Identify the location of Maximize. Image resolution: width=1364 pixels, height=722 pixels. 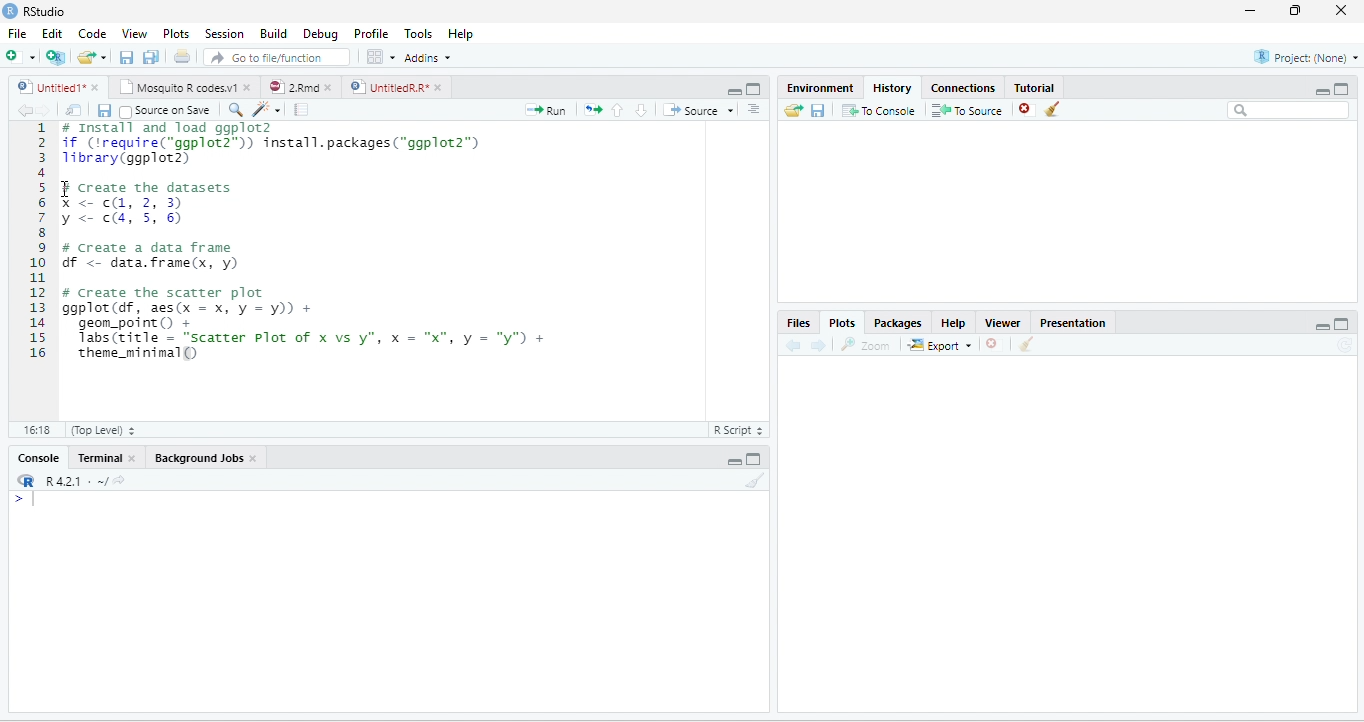
(1342, 89).